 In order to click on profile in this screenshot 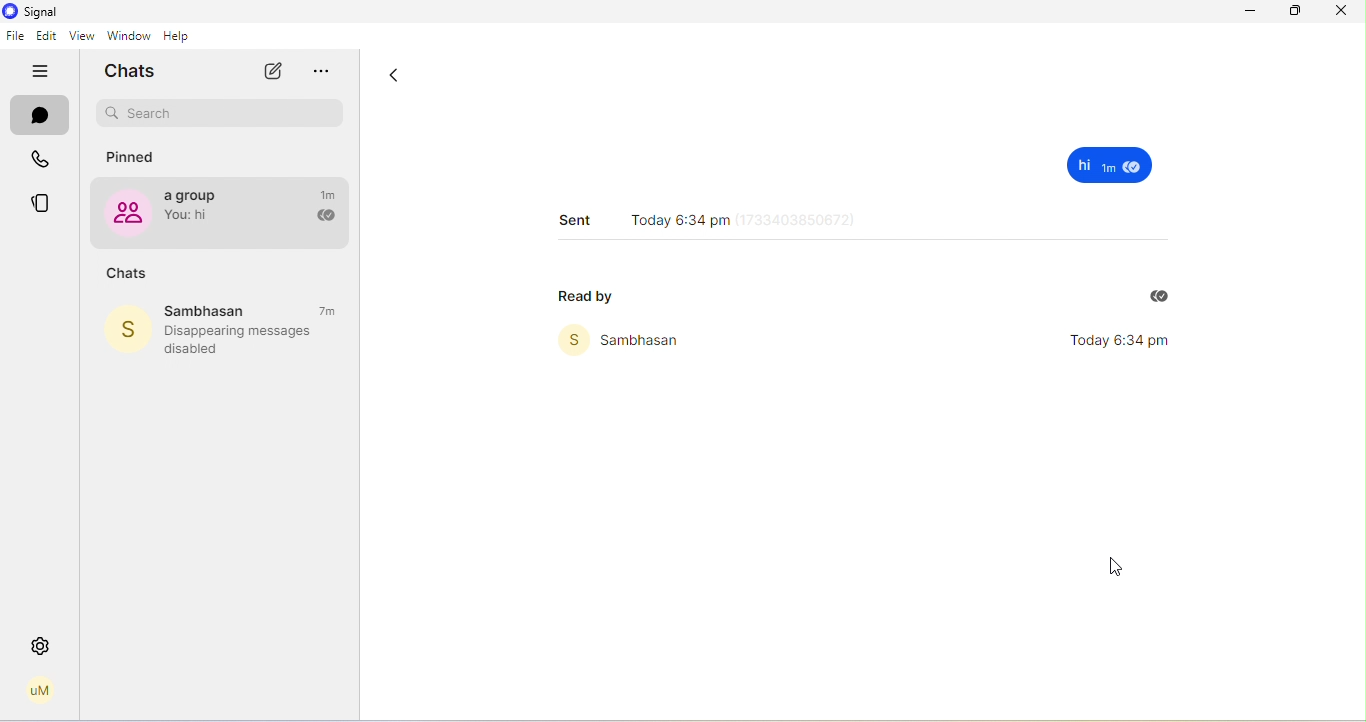, I will do `click(40, 691)`.